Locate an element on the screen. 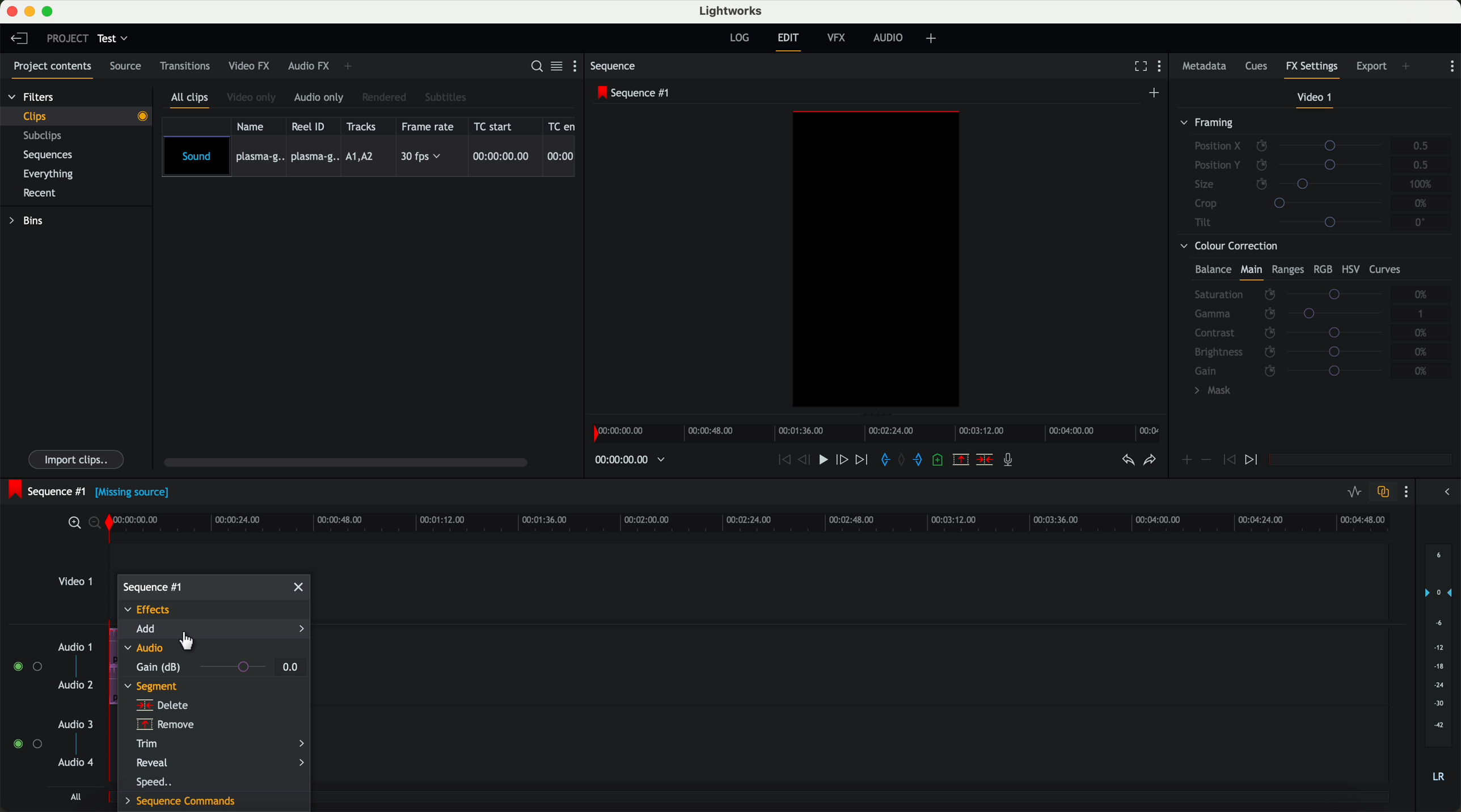 Image resolution: width=1461 pixels, height=812 pixels. scroll bar is located at coordinates (352, 464).